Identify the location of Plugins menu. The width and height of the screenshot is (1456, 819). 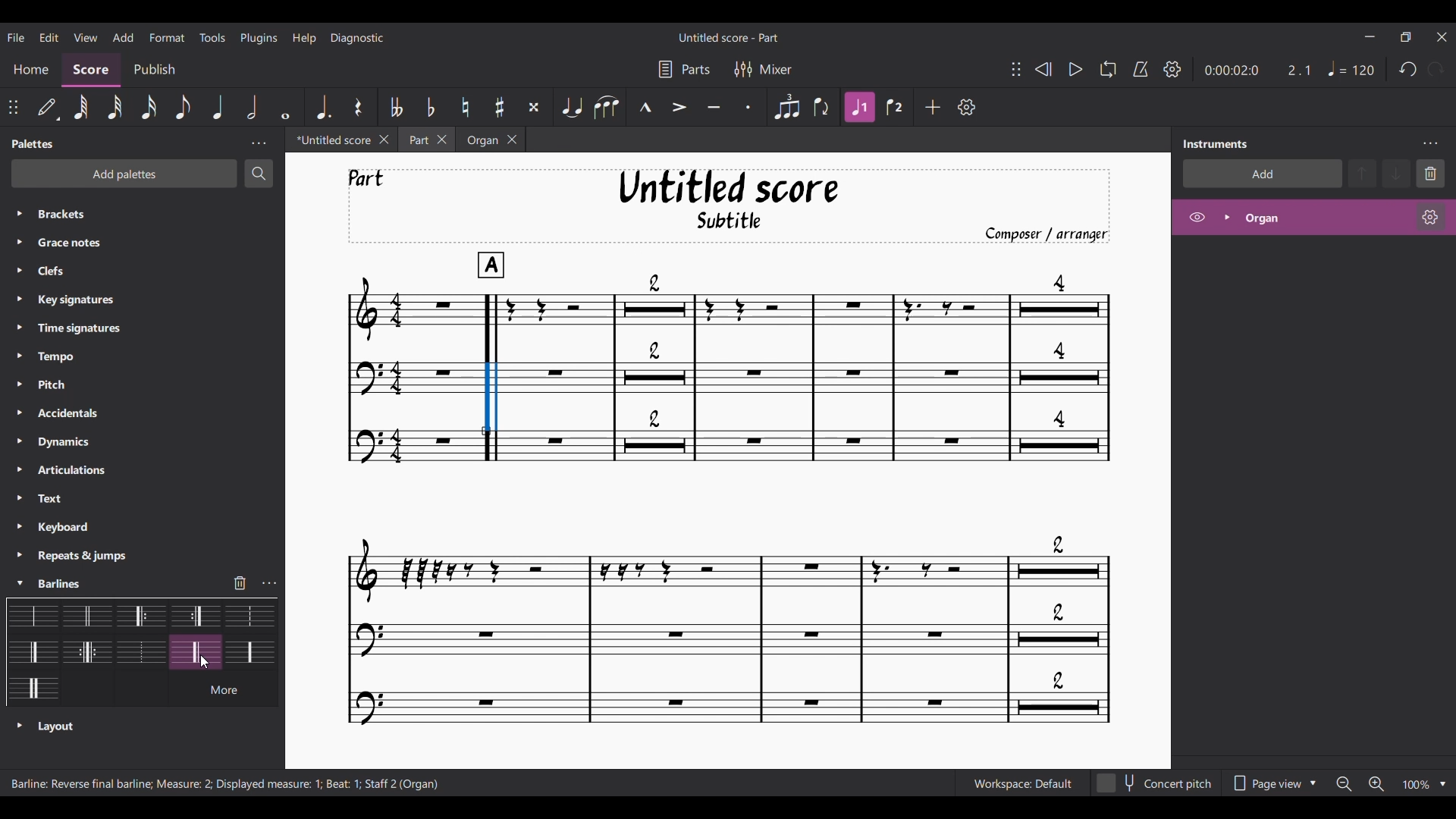
(259, 37).